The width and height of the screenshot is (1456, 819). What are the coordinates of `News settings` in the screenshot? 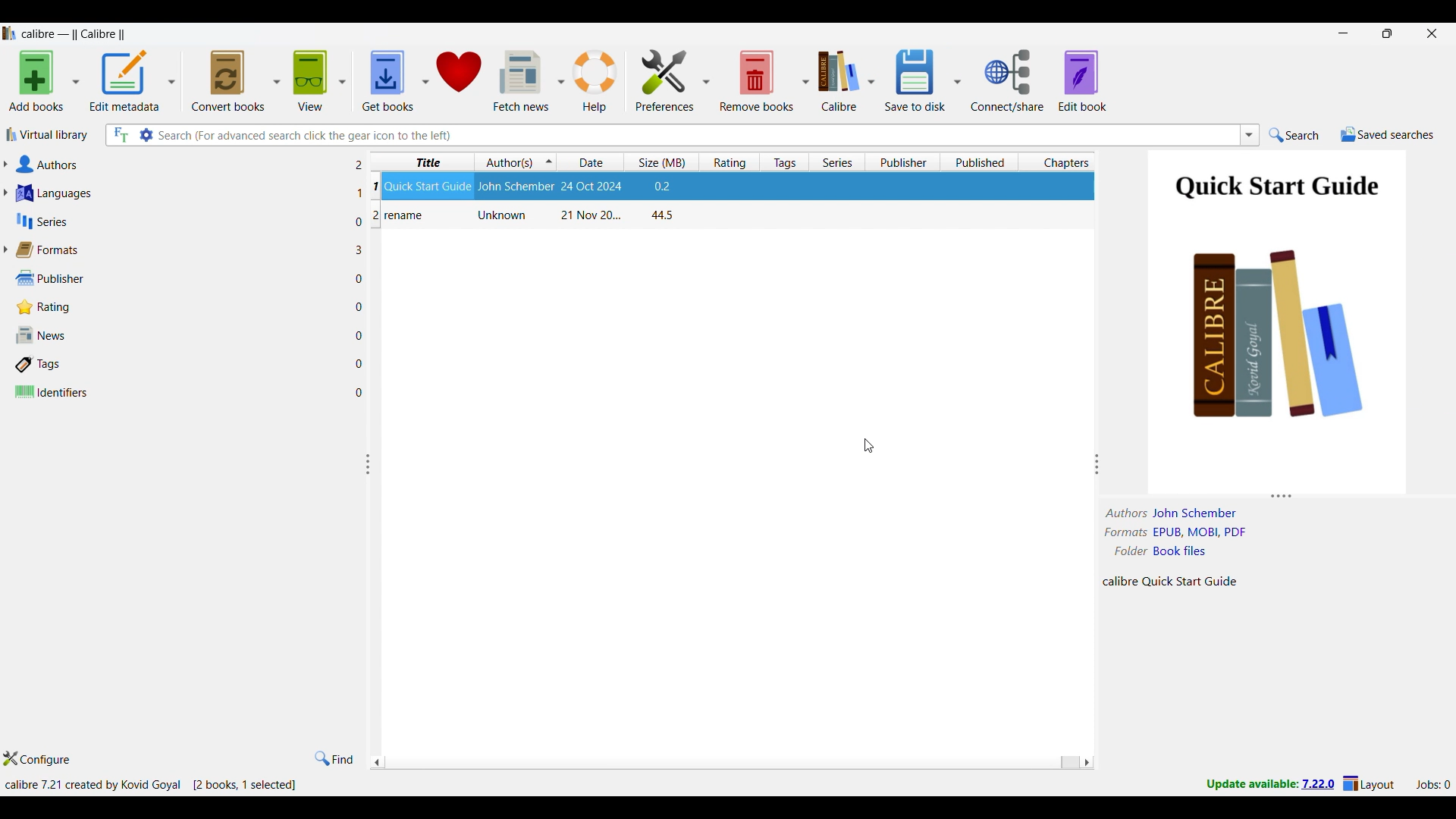 It's located at (529, 81).